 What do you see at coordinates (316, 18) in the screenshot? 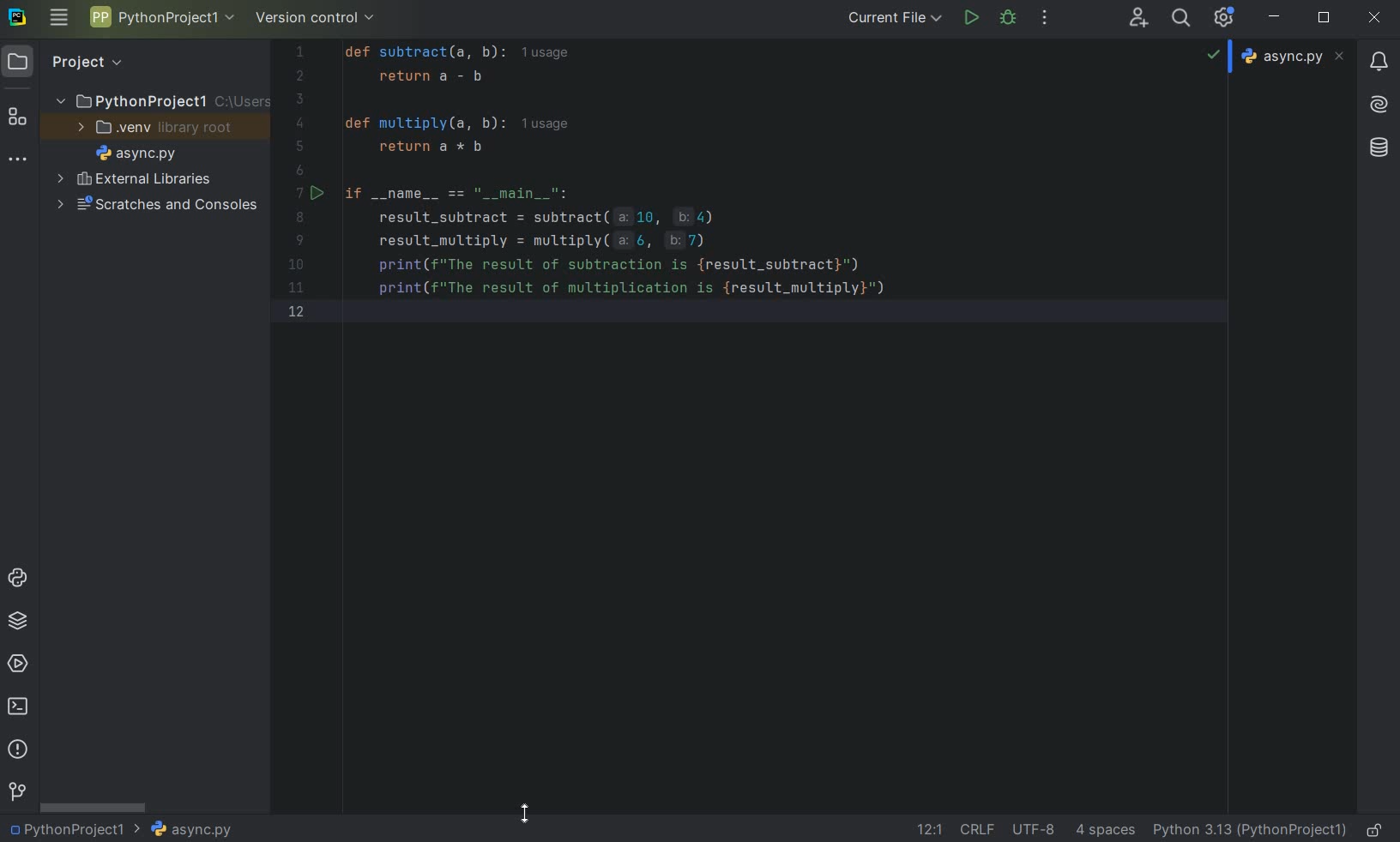
I see `version control` at bounding box center [316, 18].